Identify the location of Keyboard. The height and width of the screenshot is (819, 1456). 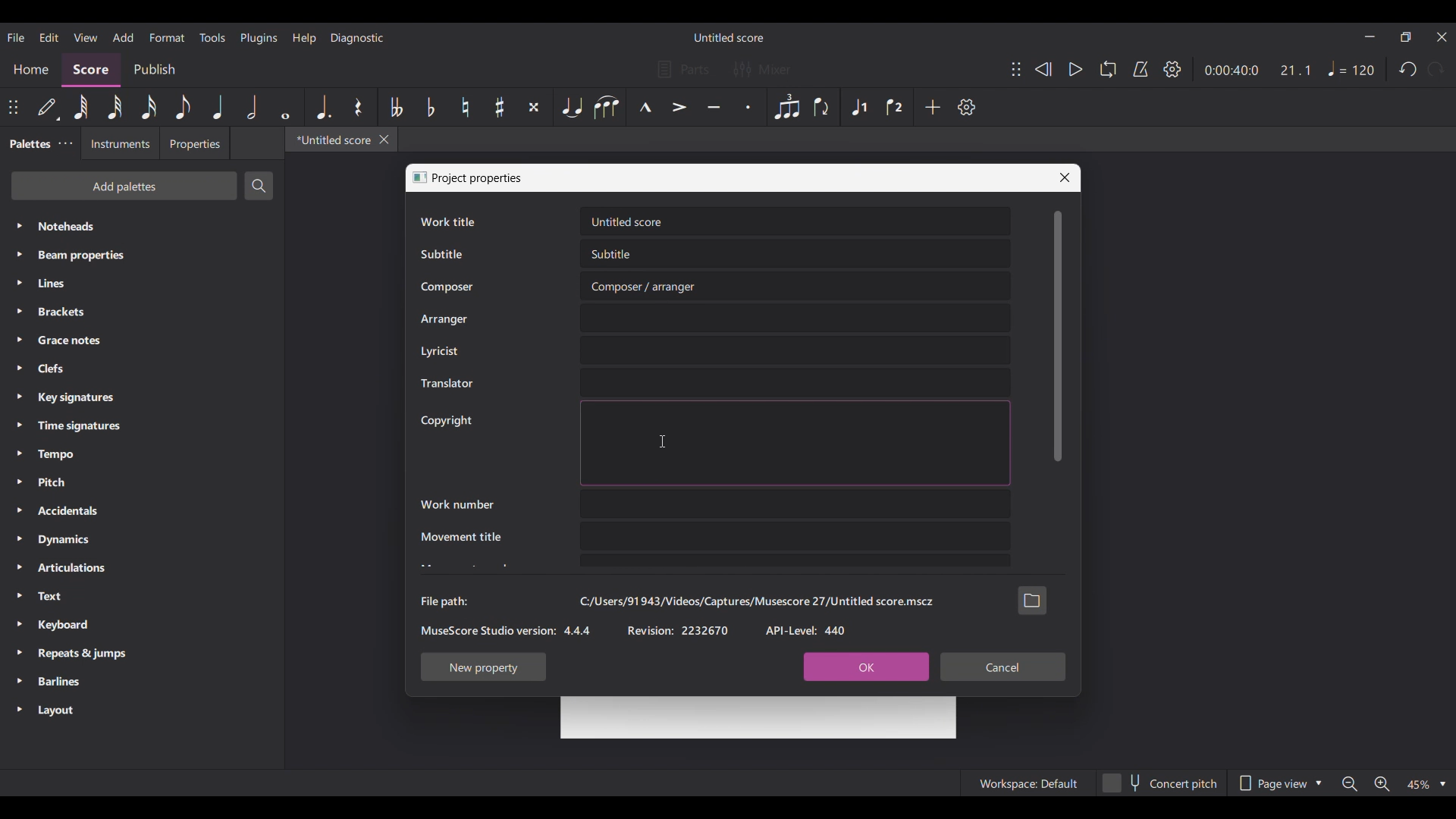
(143, 626).